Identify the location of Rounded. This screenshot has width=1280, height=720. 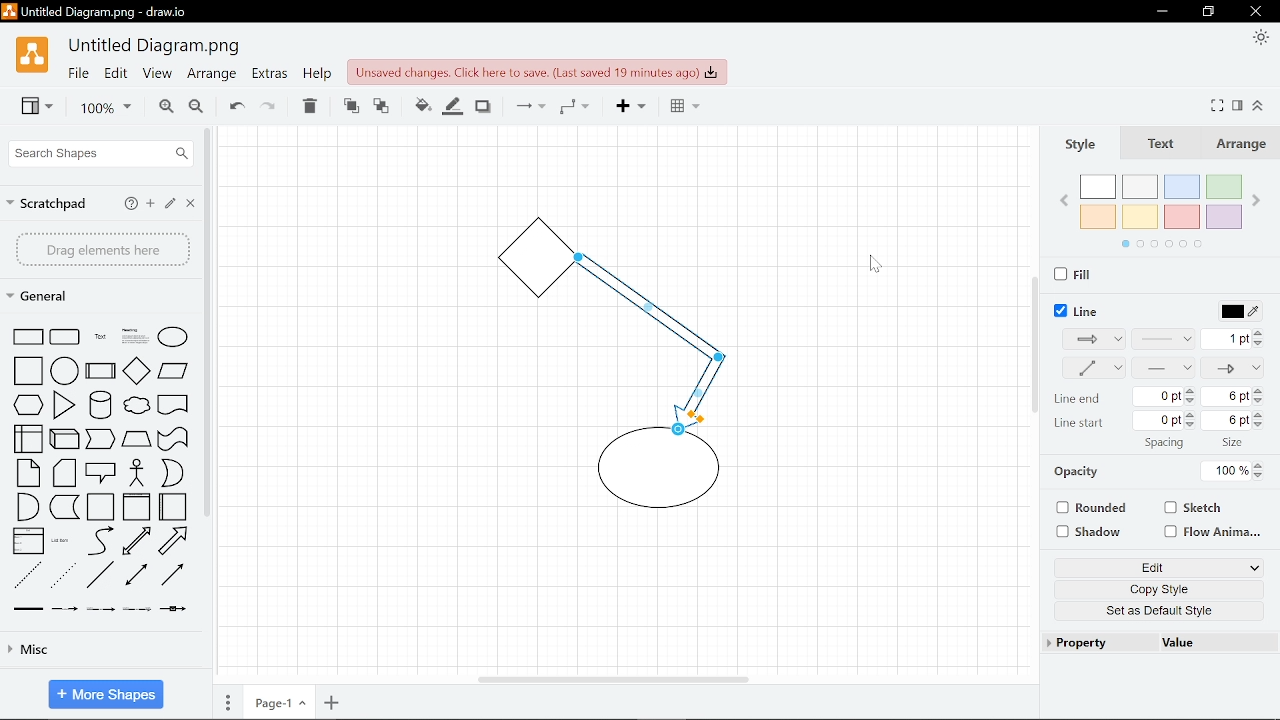
(1092, 508).